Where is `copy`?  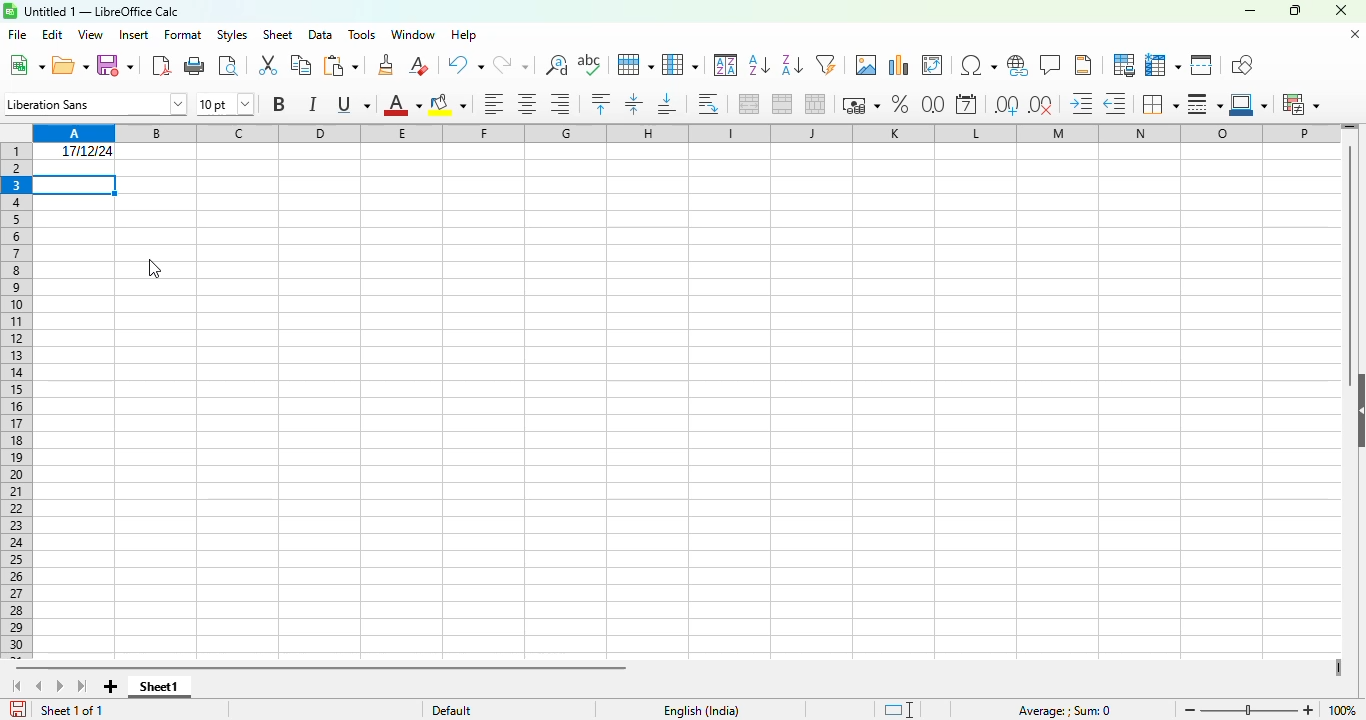 copy is located at coordinates (301, 65).